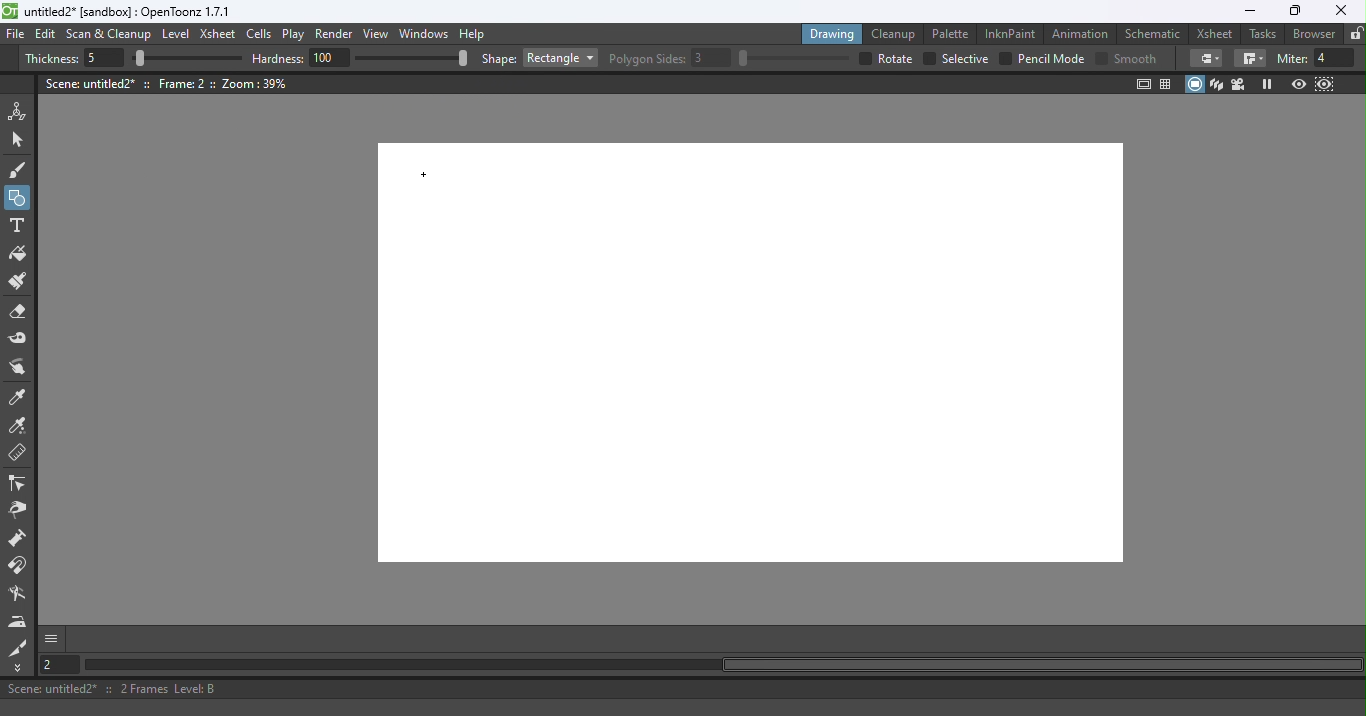 The image size is (1366, 716). I want to click on shape, so click(499, 60).